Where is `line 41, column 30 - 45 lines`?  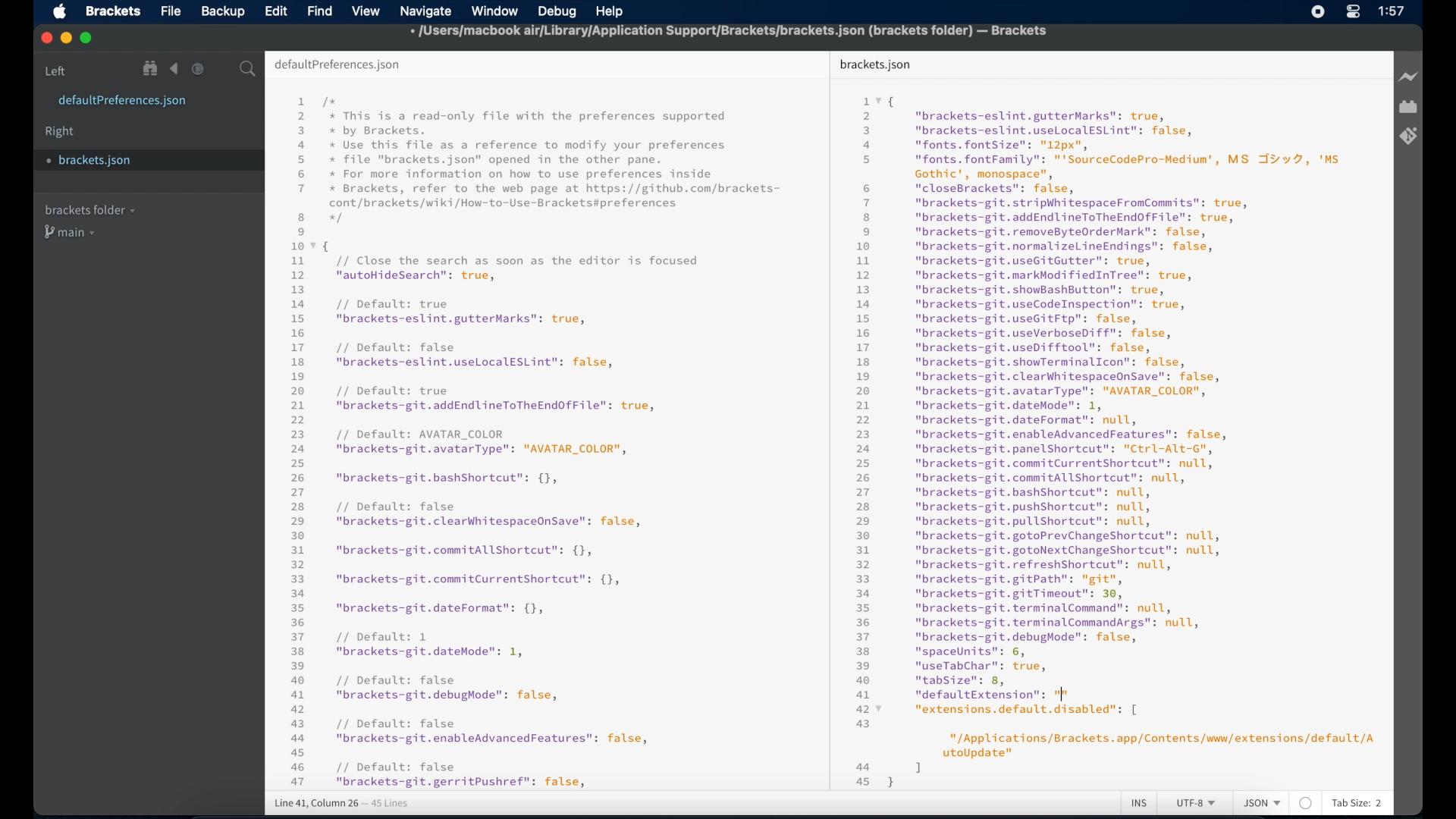 line 41, column 30 - 45 lines is located at coordinates (341, 804).